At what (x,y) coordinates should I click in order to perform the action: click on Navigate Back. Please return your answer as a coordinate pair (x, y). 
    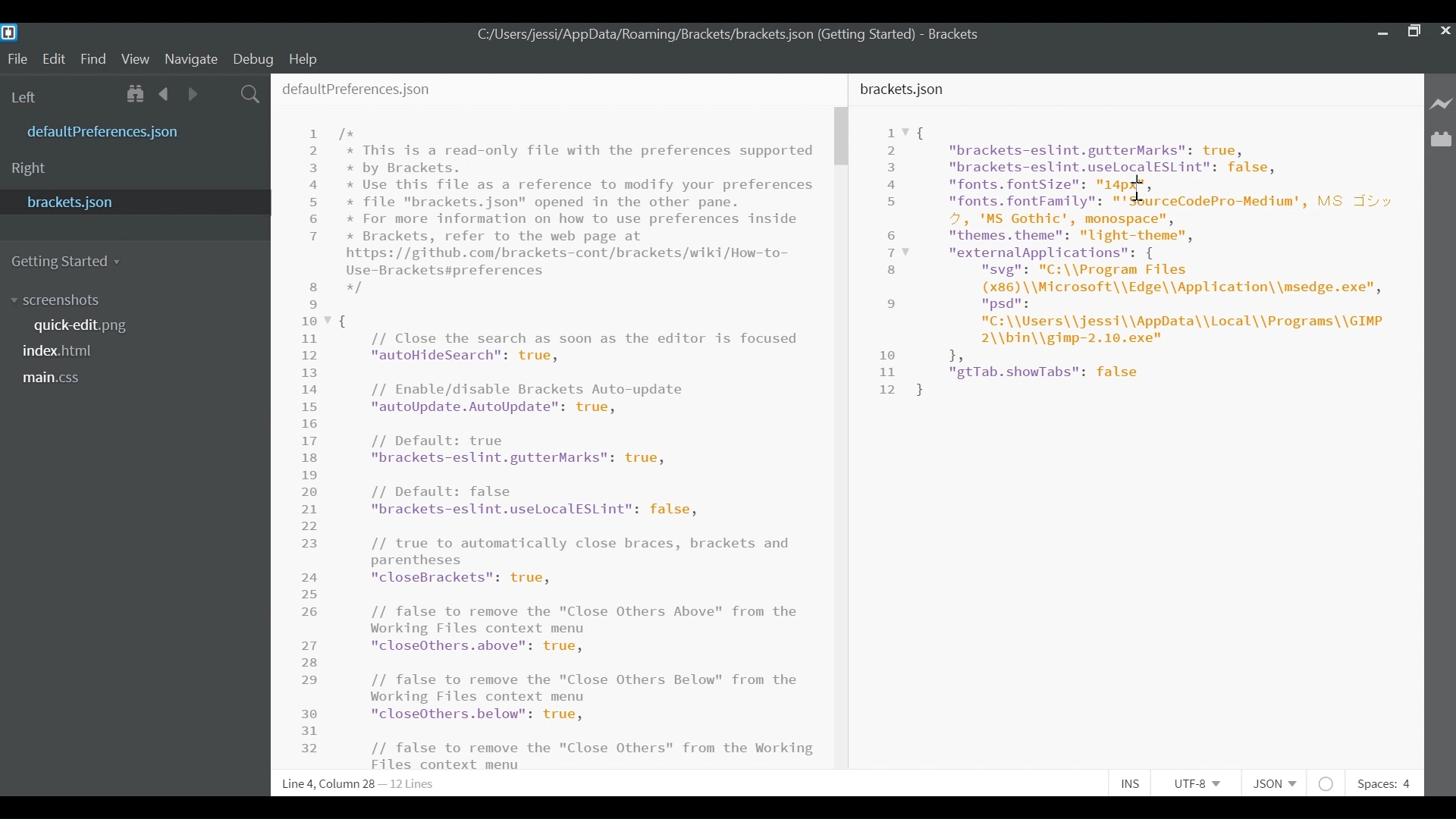
    Looking at the image, I should click on (165, 94).